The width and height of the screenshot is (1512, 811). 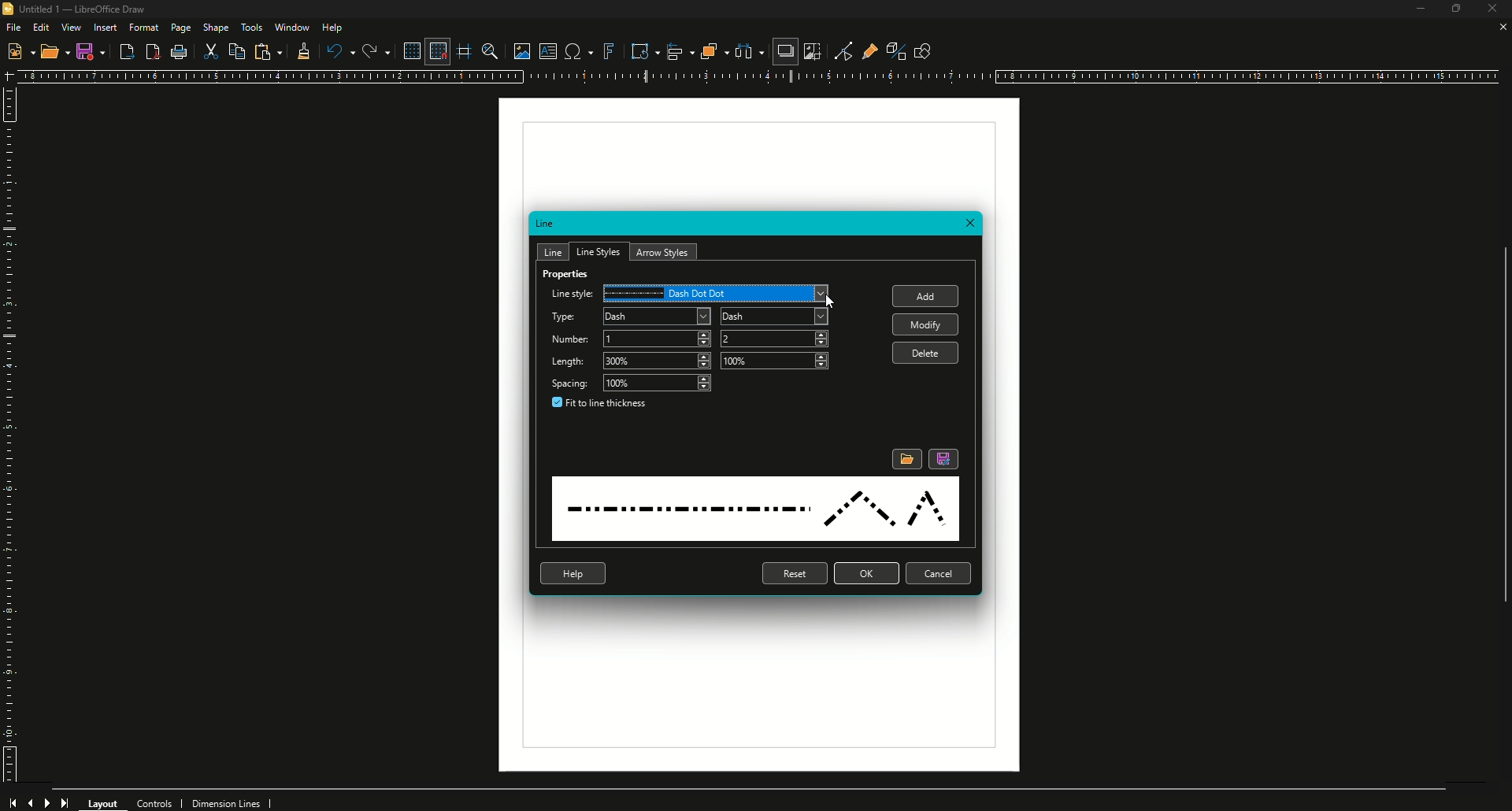 I want to click on Reset, so click(x=793, y=574).